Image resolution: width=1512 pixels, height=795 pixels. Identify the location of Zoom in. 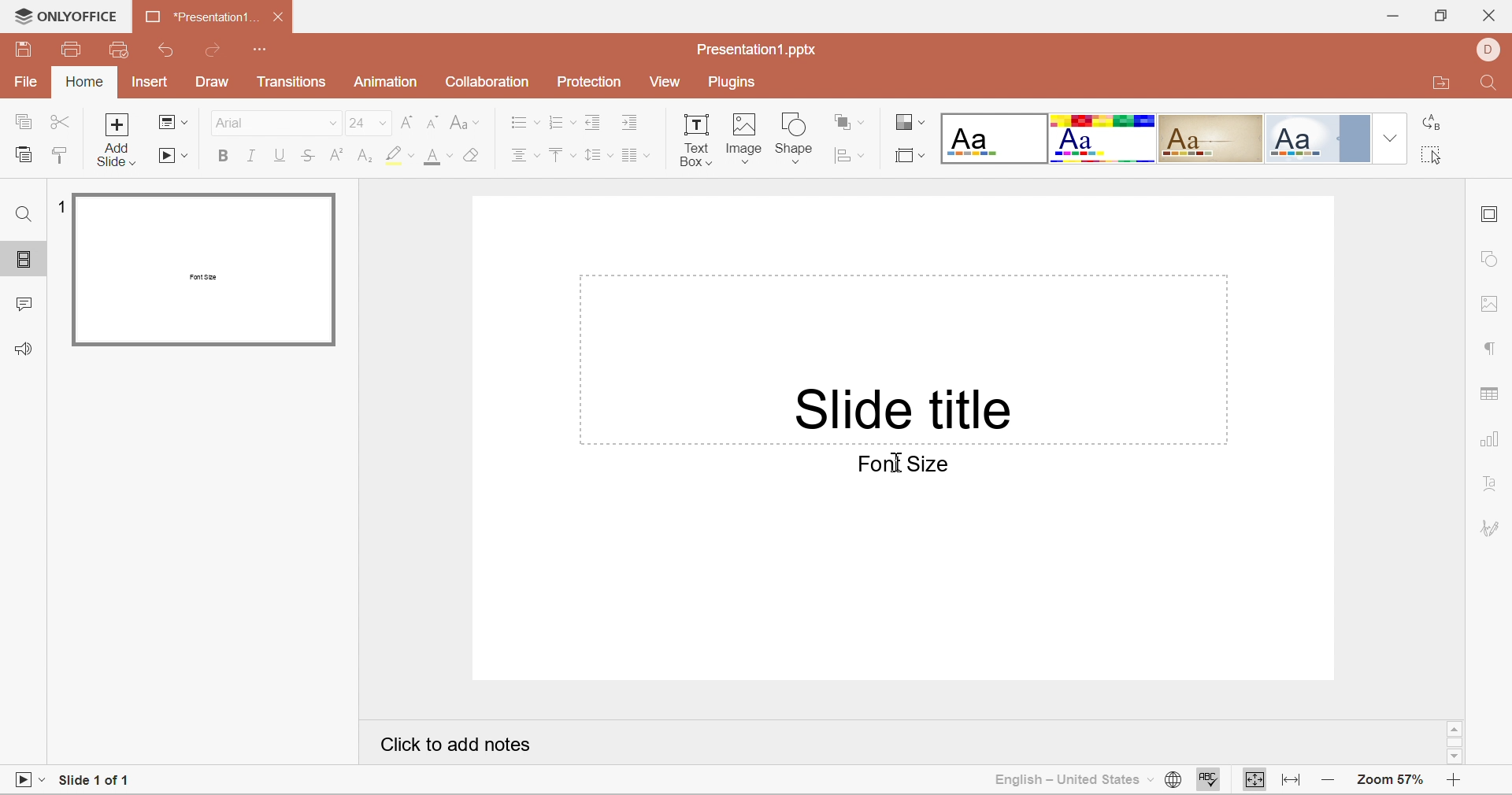
(1453, 783).